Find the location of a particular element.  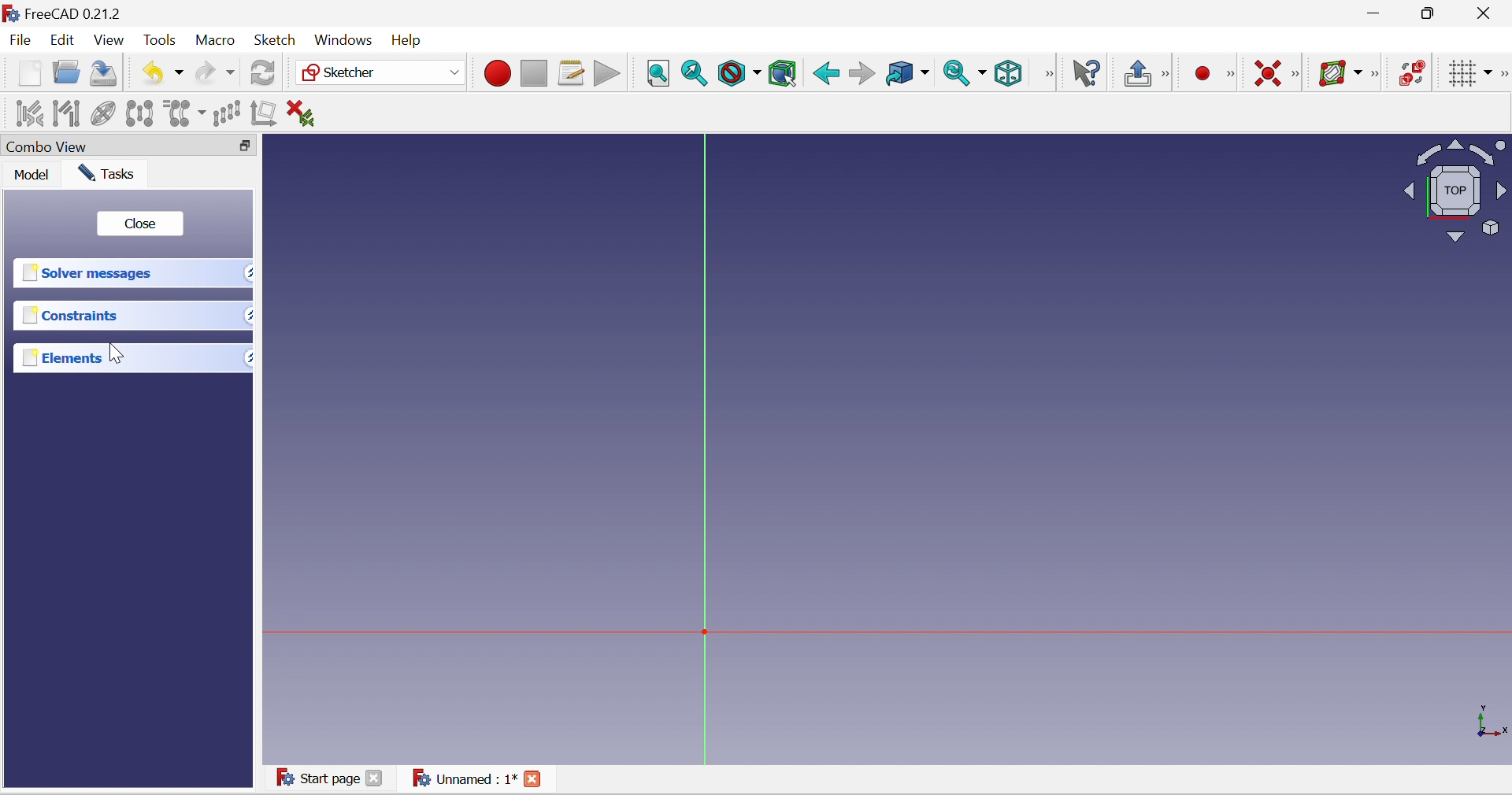

Undo is located at coordinates (160, 72).